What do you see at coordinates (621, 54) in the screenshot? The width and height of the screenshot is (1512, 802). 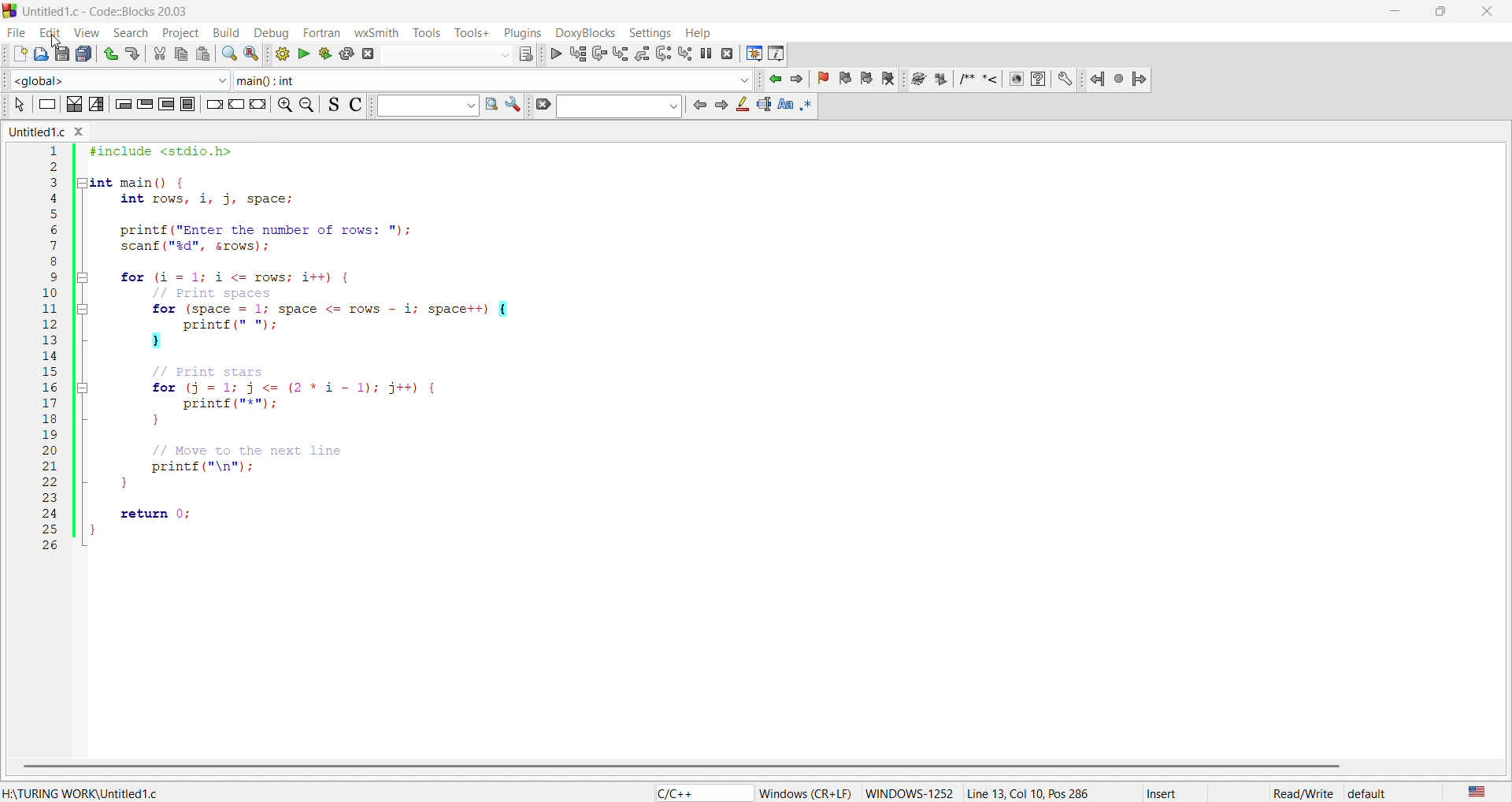 I see `step into` at bounding box center [621, 54].